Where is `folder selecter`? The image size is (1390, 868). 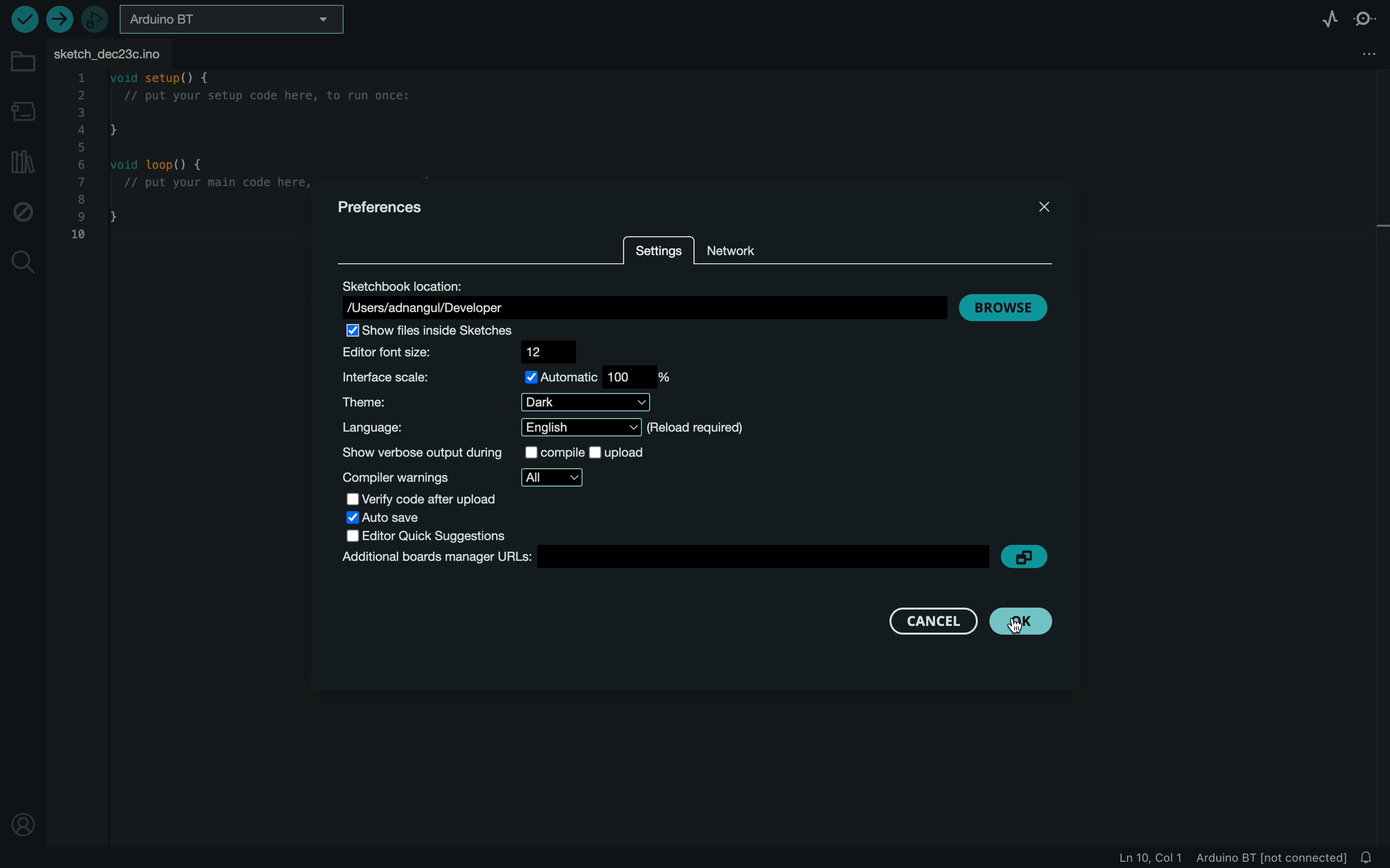 folder selecter is located at coordinates (234, 19).